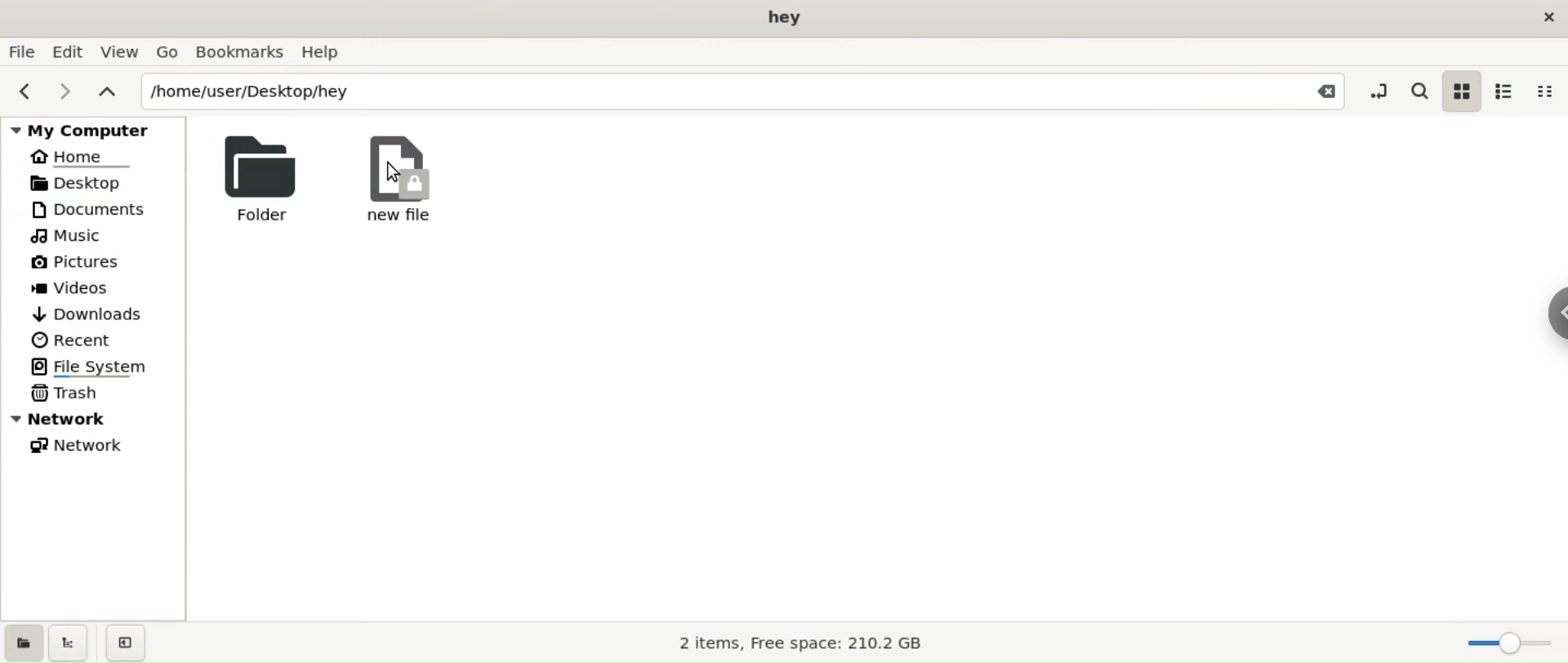 Image resolution: width=1568 pixels, height=663 pixels. Describe the element at coordinates (72, 644) in the screenshot. I see `show treeview` at that location.